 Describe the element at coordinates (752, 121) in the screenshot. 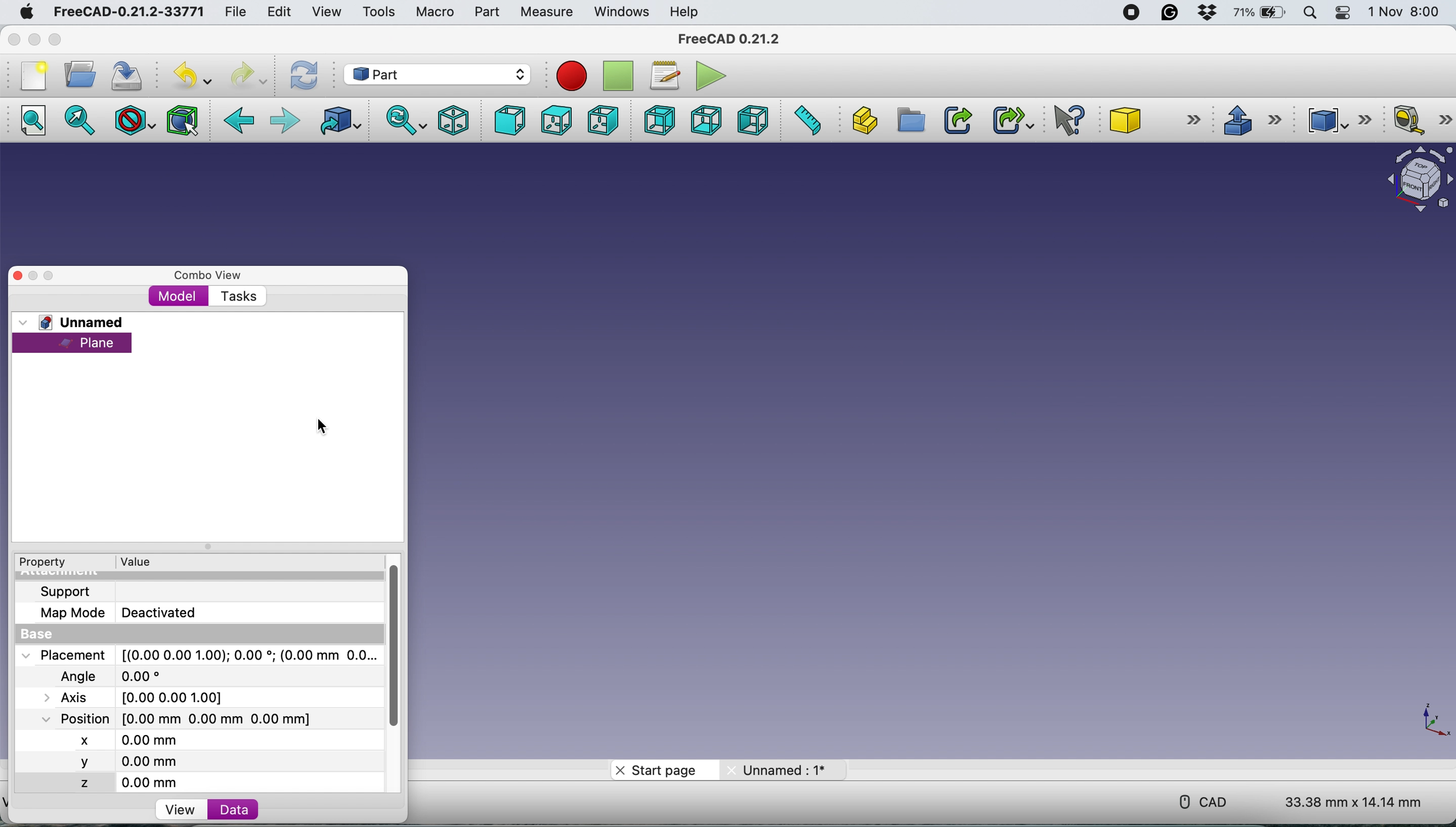

I see `left` at that location.